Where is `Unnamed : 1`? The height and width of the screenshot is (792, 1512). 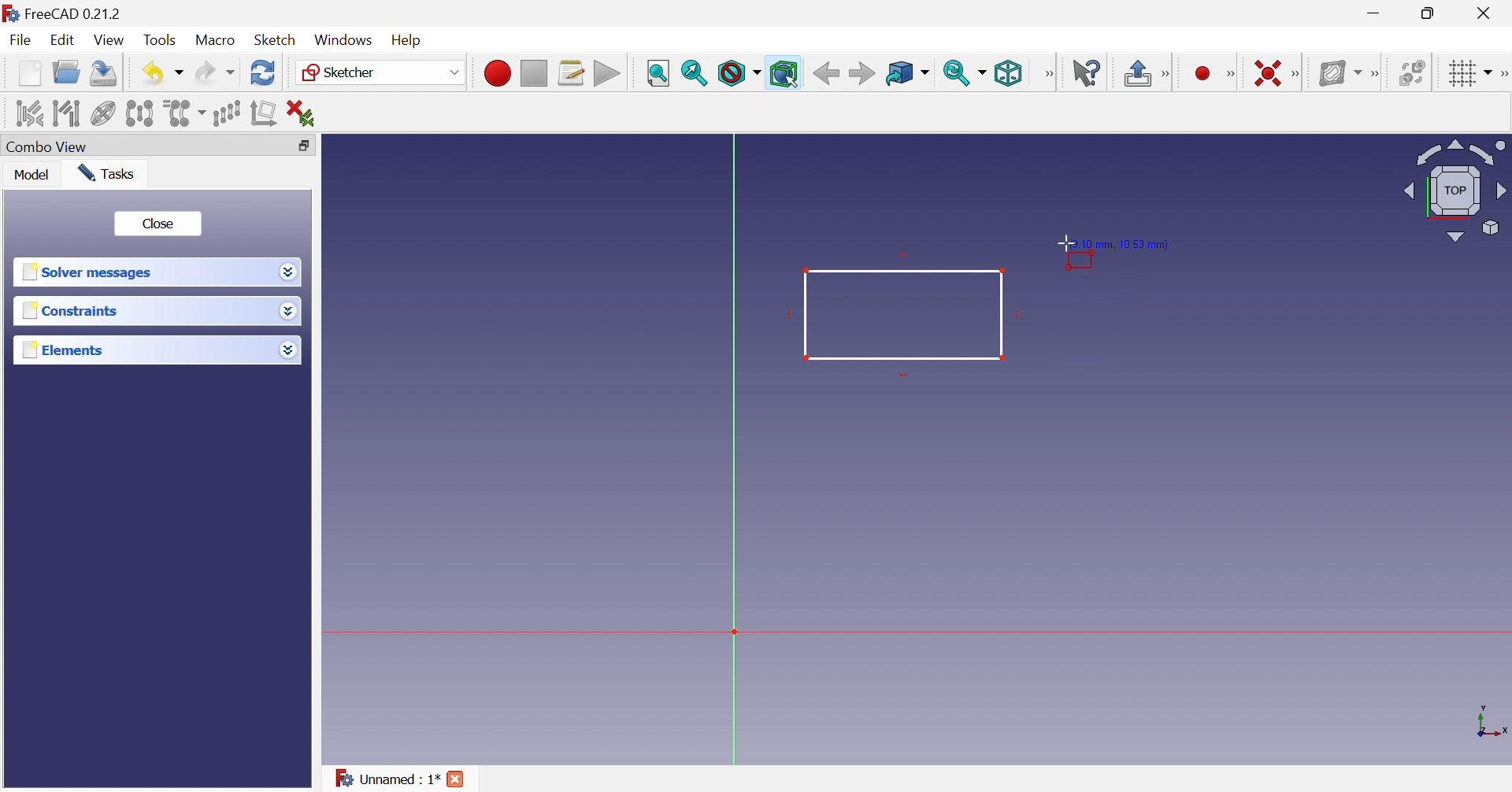
Unnamed : 1 is located at coordinates (387, 779).